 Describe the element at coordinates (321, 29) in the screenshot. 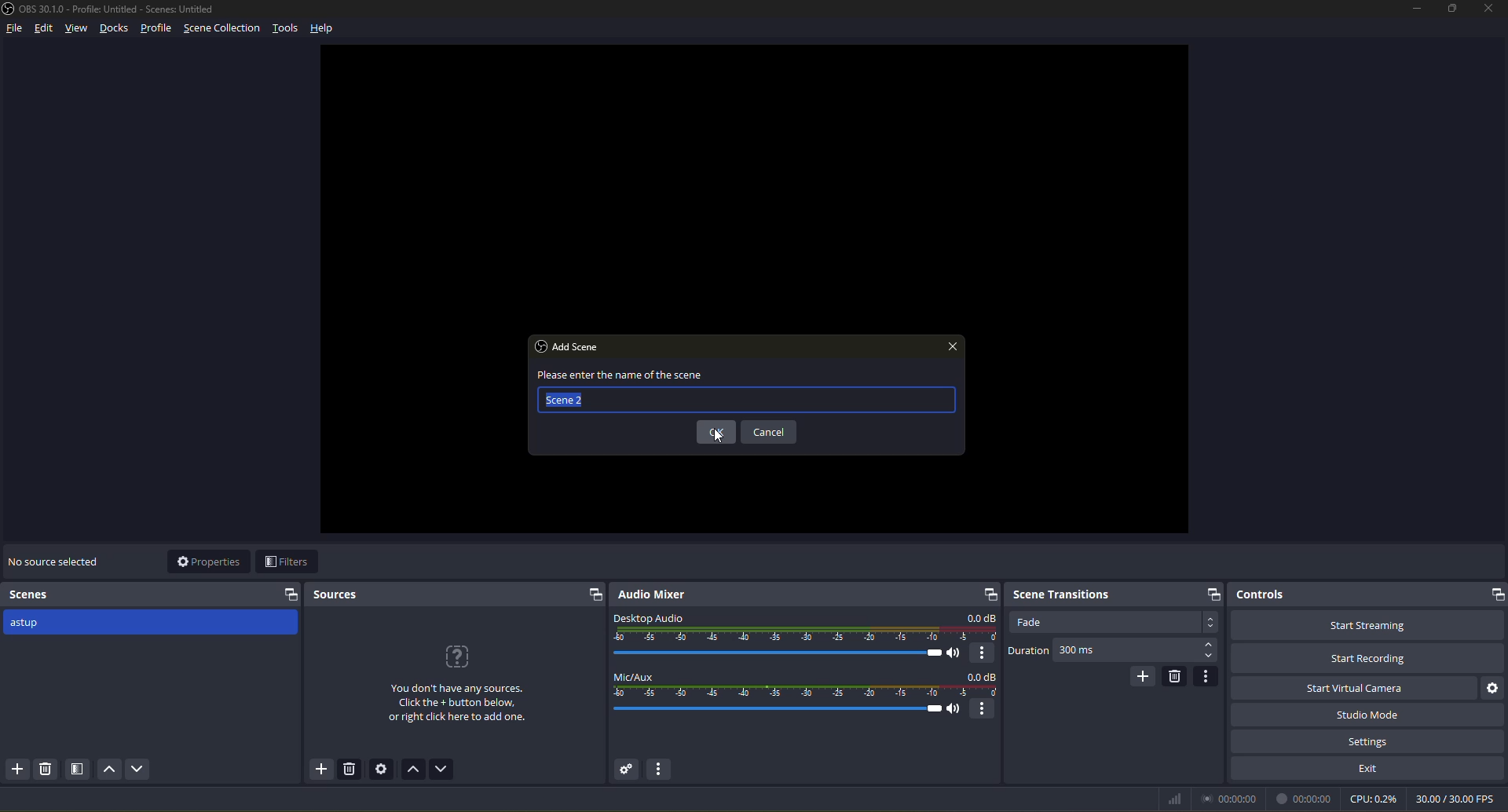

I see `help` at that location.